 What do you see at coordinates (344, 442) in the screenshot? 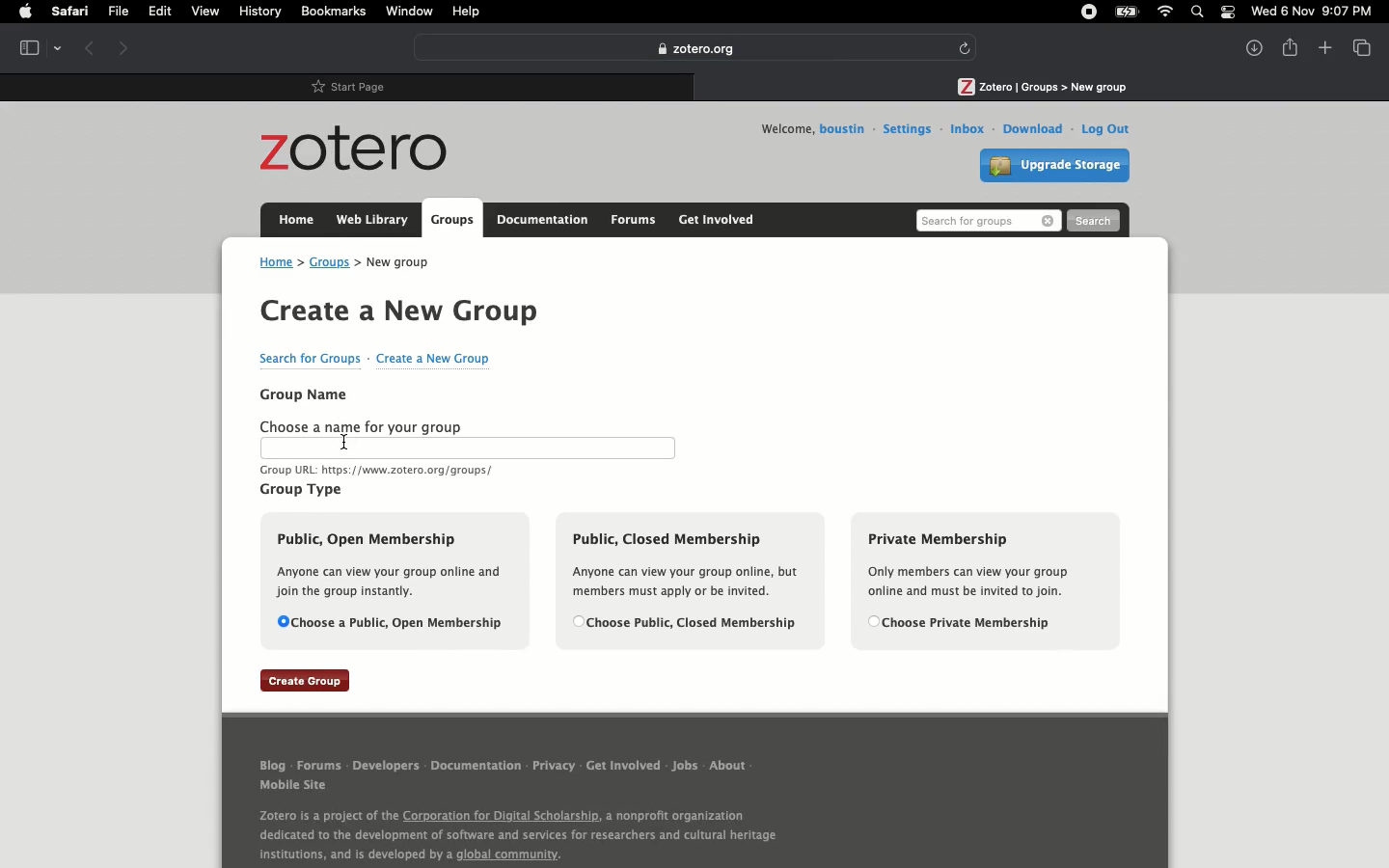
I see `Cursor` at bounding box center [344, 442].